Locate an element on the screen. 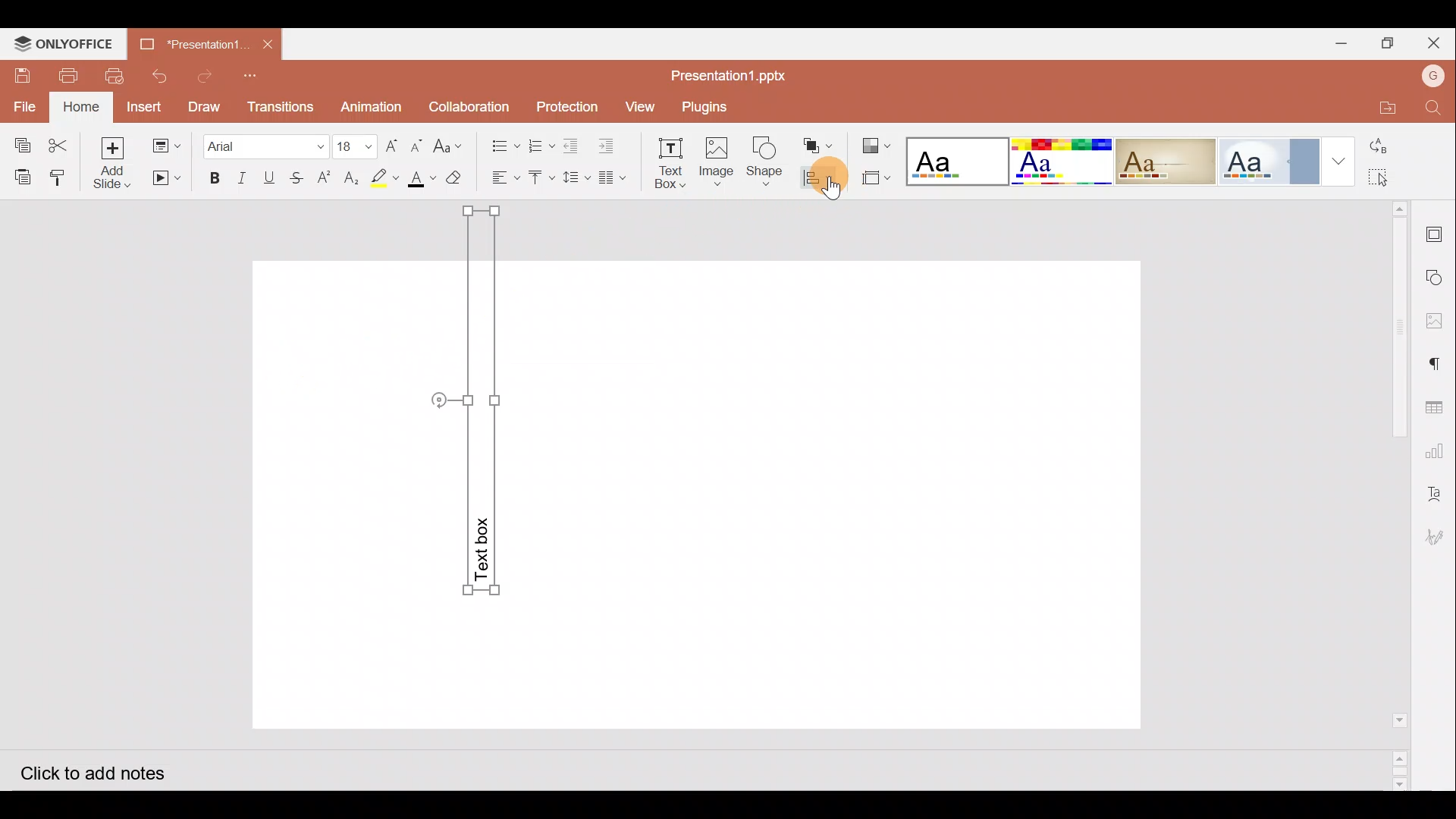  Font size is located at coordinates (356, 146).